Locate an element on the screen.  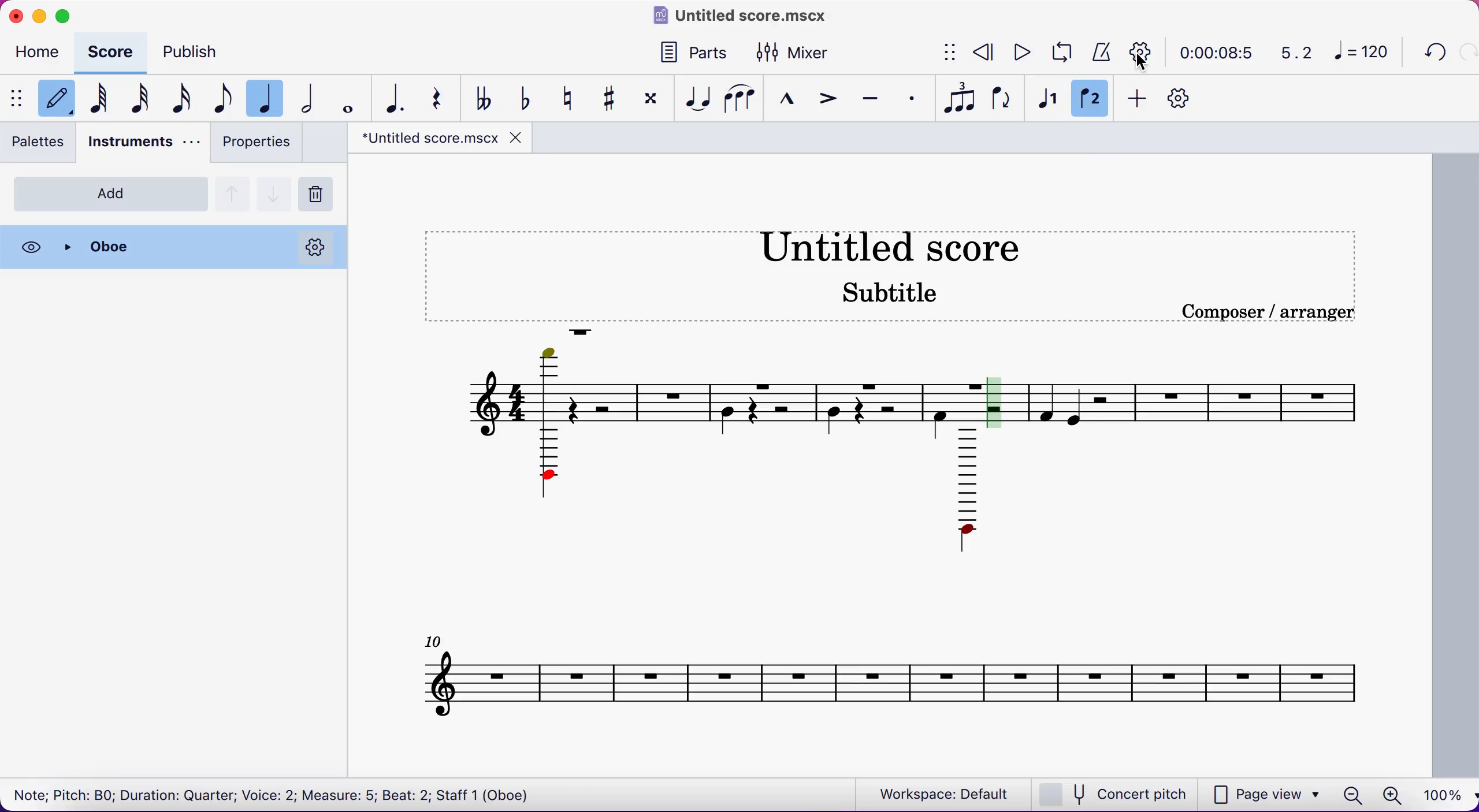
review is located at coordinates (984, 51).